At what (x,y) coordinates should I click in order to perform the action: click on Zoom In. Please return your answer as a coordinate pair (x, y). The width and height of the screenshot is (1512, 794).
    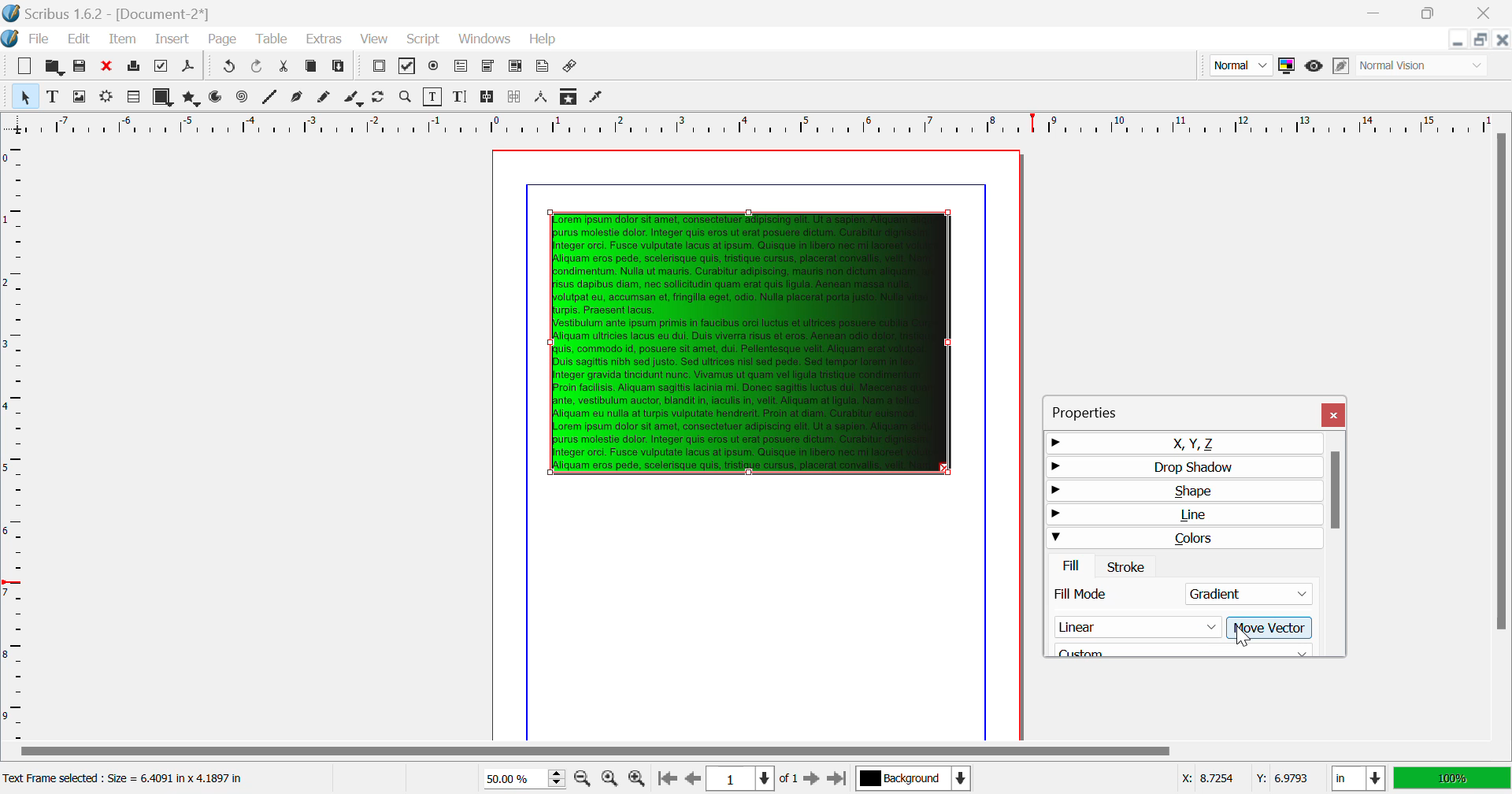
    Looking at the image, I should click on (638, 779).